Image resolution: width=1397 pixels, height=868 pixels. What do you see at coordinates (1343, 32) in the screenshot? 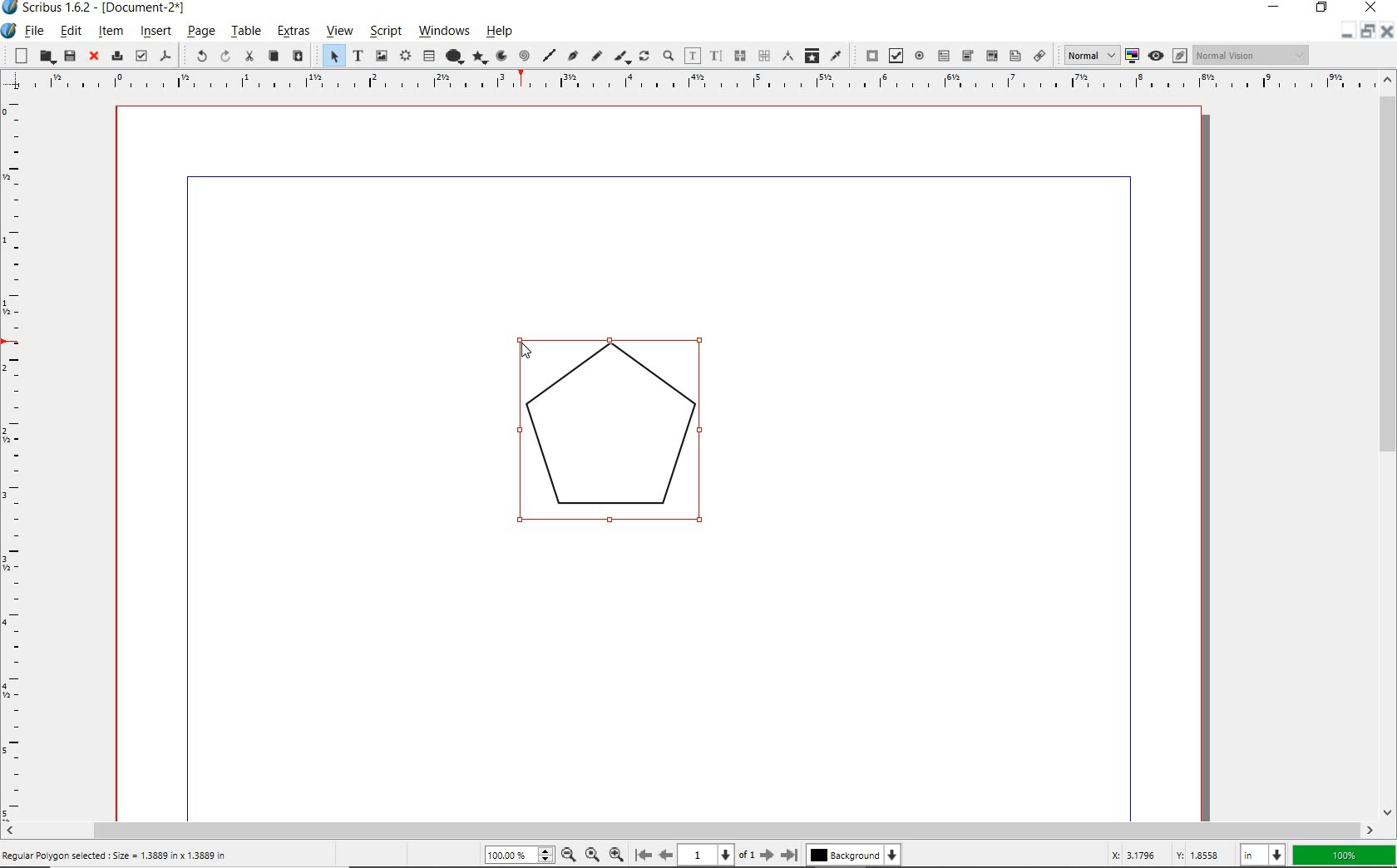
I see `minimise` at bounding box center [1343, 32].